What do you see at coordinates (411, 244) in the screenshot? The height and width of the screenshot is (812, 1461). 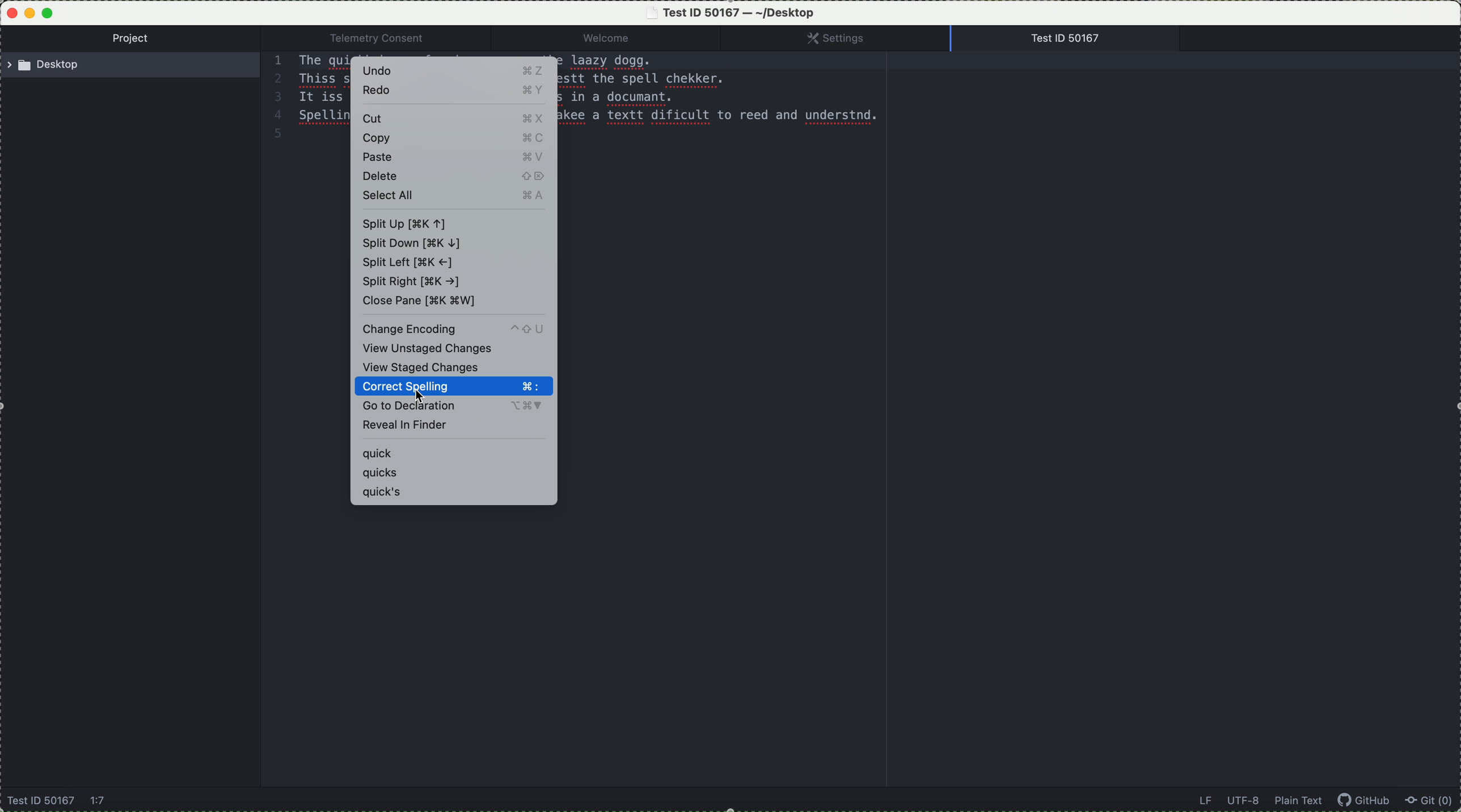 I see `split down` at bounding box center [411, 244].